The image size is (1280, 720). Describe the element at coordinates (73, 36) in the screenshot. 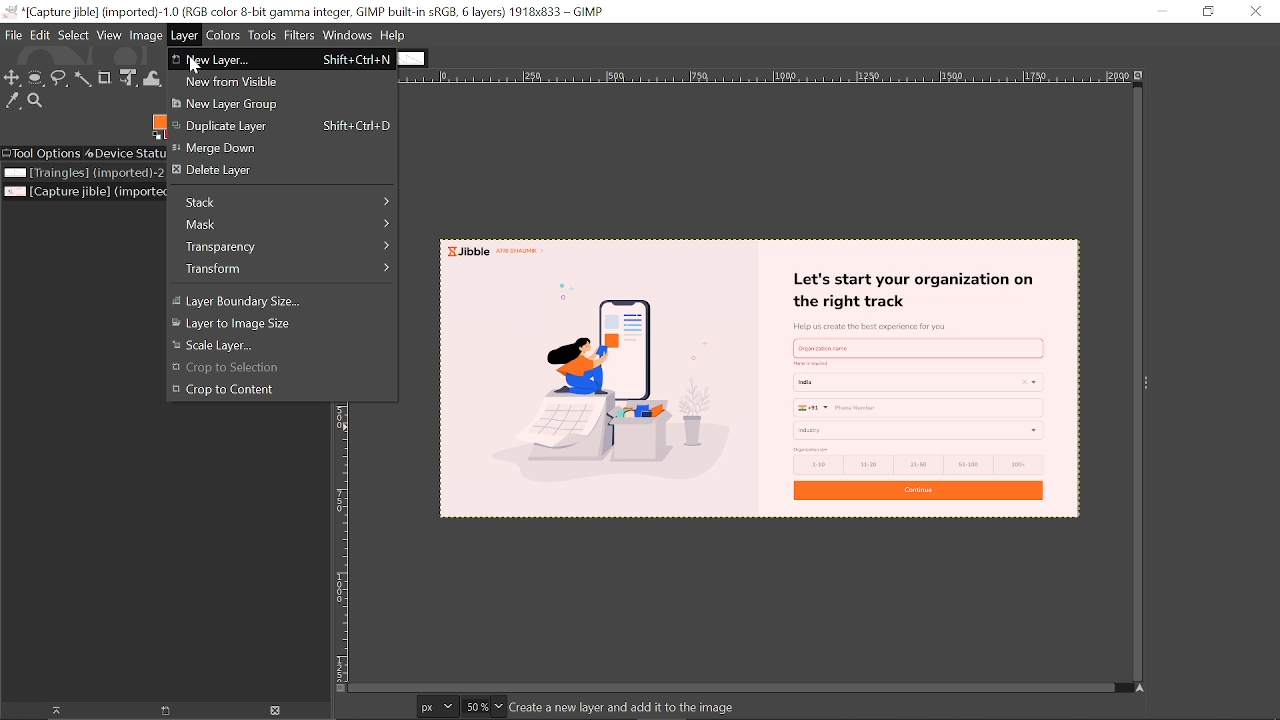

I see `Select` at that location.